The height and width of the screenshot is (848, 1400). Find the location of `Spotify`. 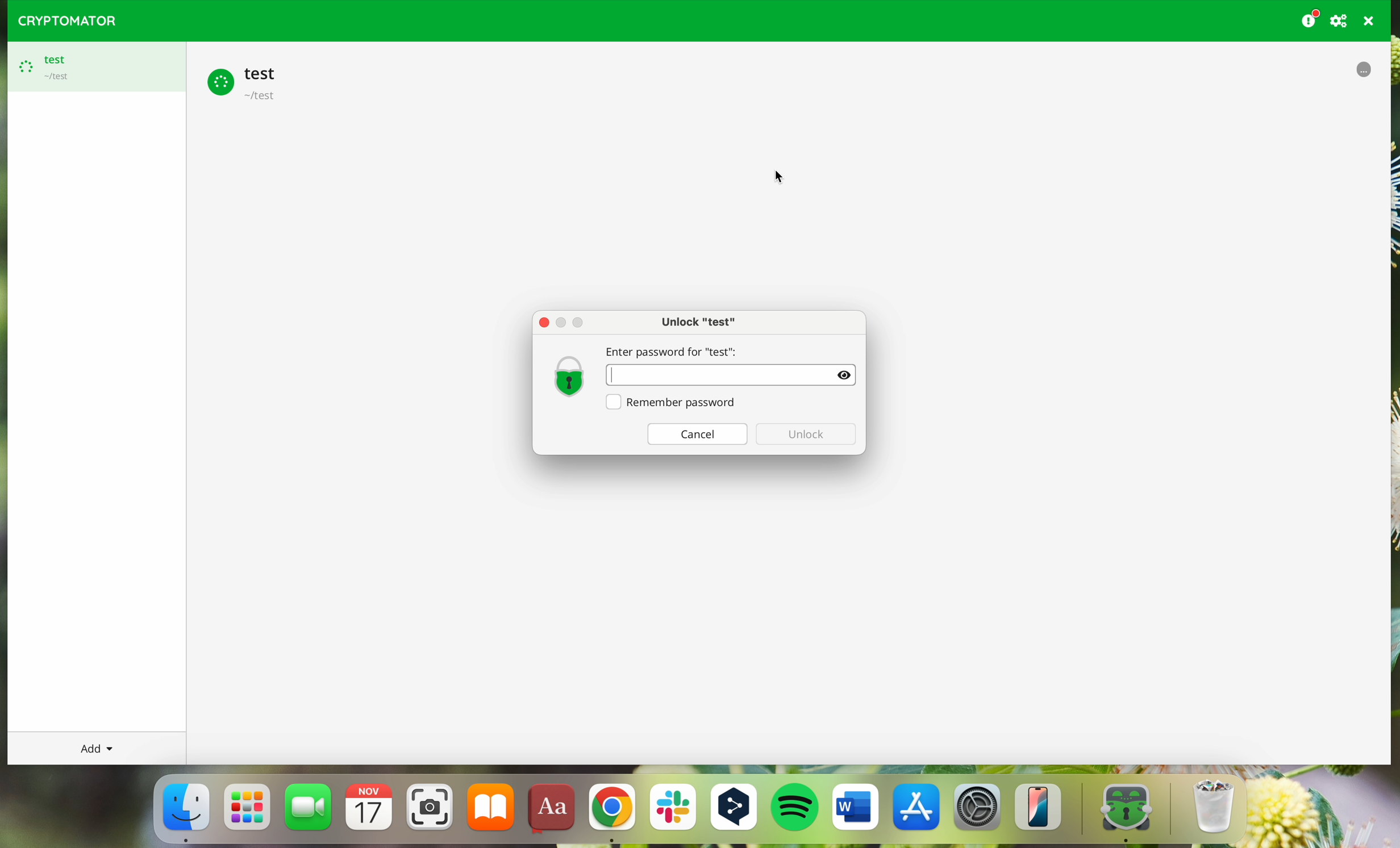

Spotify is located at coordinates (797, 809).